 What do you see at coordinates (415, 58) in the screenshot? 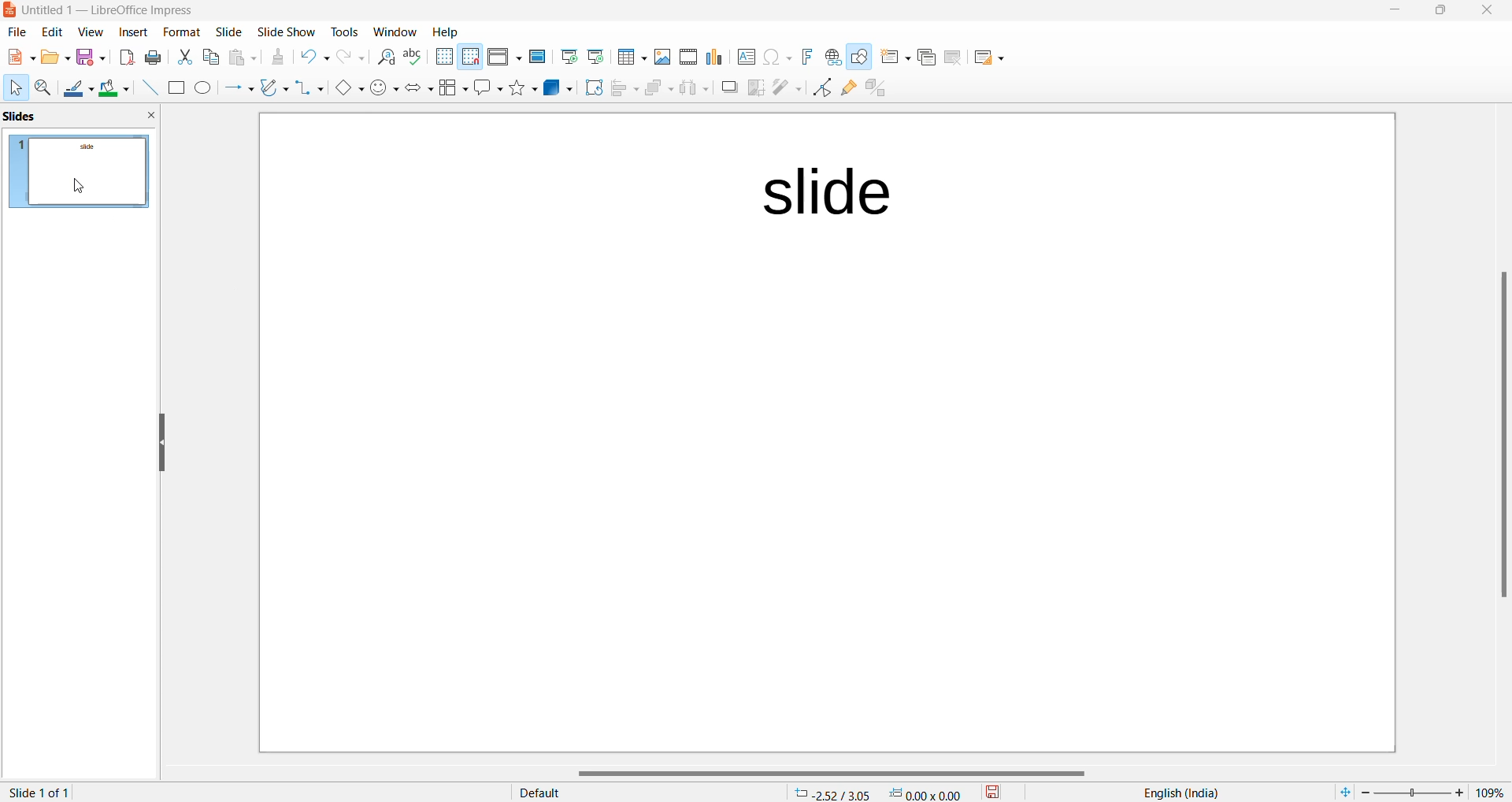
I see `spellings` at bounding box center [415, 58].